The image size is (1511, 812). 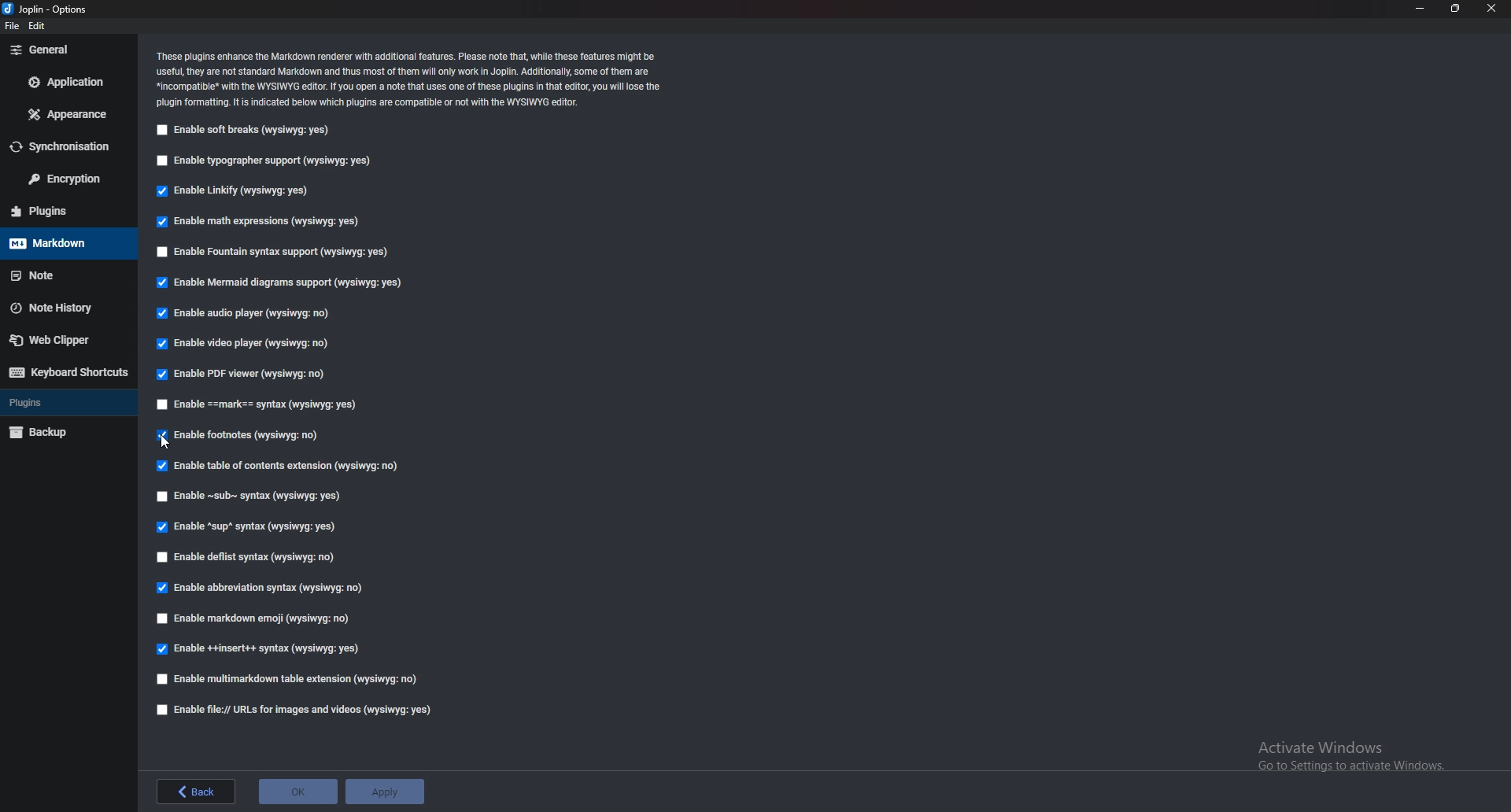 I want to click on enable deflist syntax, so click(x=249, y=555).